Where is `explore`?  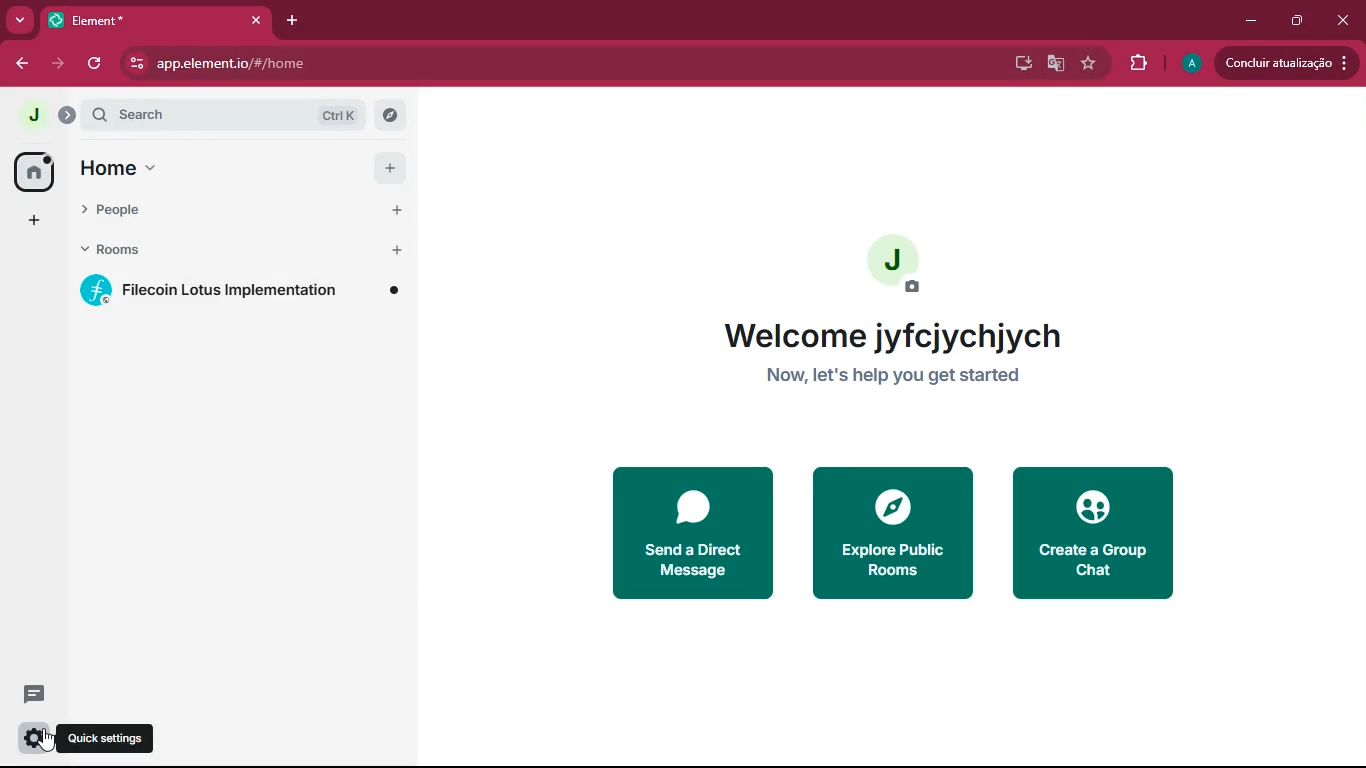
explore is located at coordinates (893, 534).